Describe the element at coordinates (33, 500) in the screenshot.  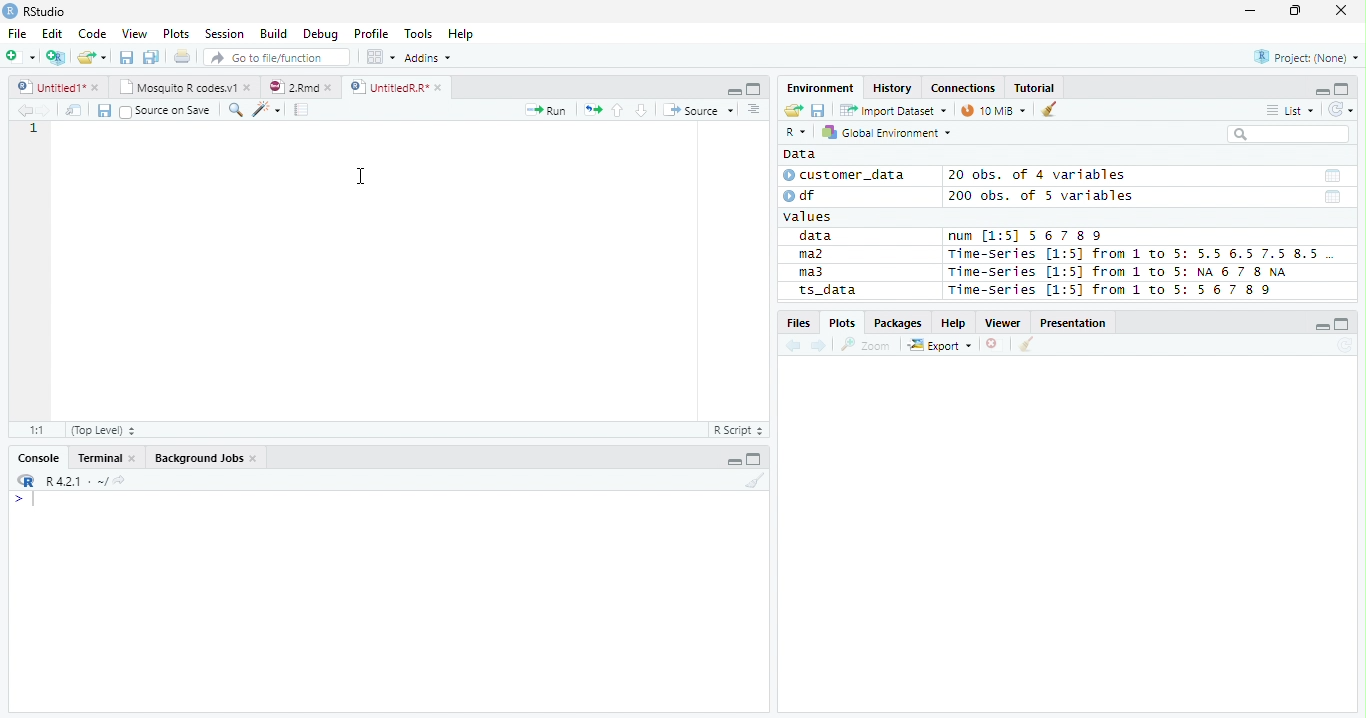
I see `Typing indicator` at that location.